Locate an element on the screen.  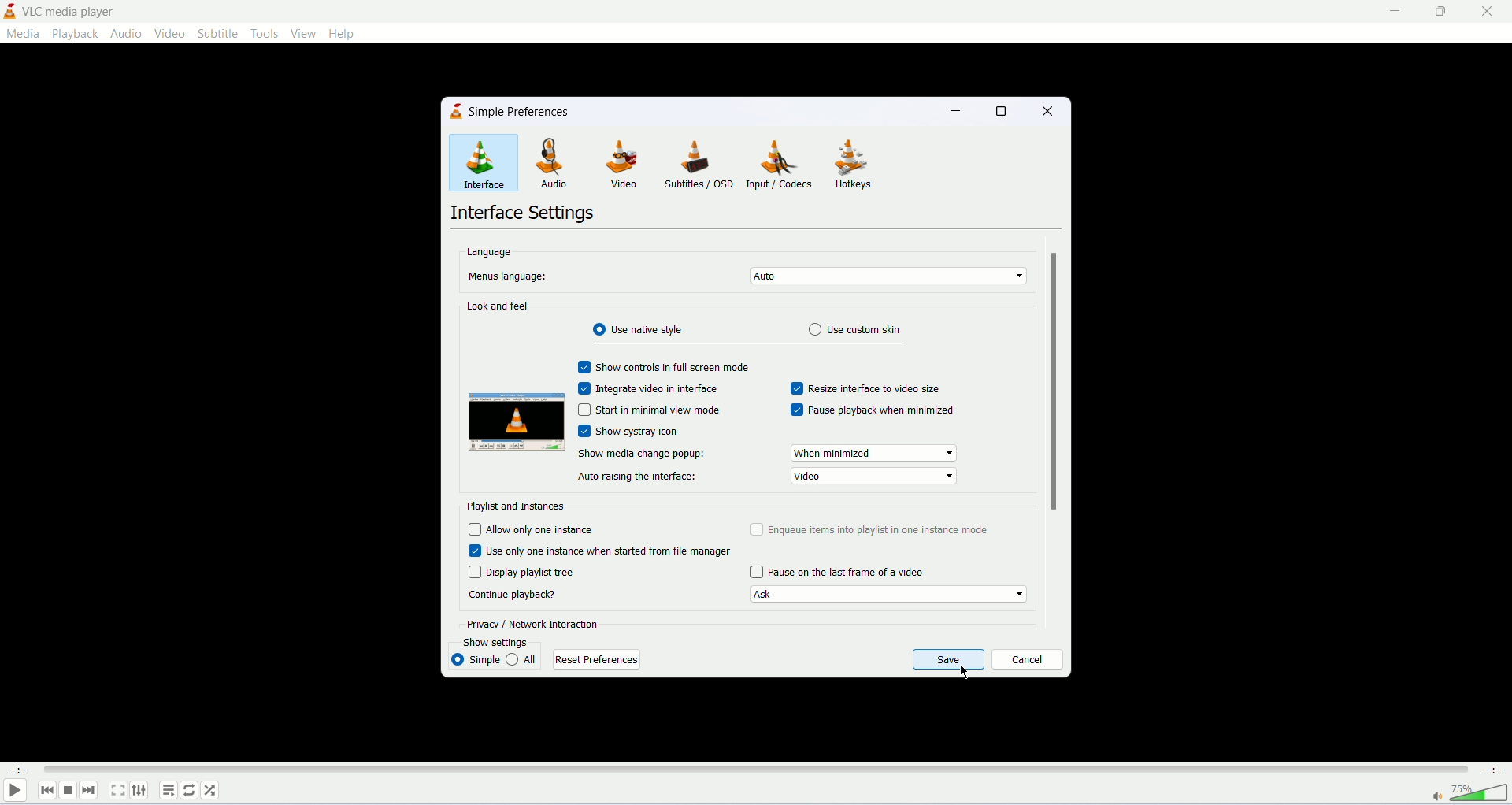
cursor is located at coordinates (962, 673).